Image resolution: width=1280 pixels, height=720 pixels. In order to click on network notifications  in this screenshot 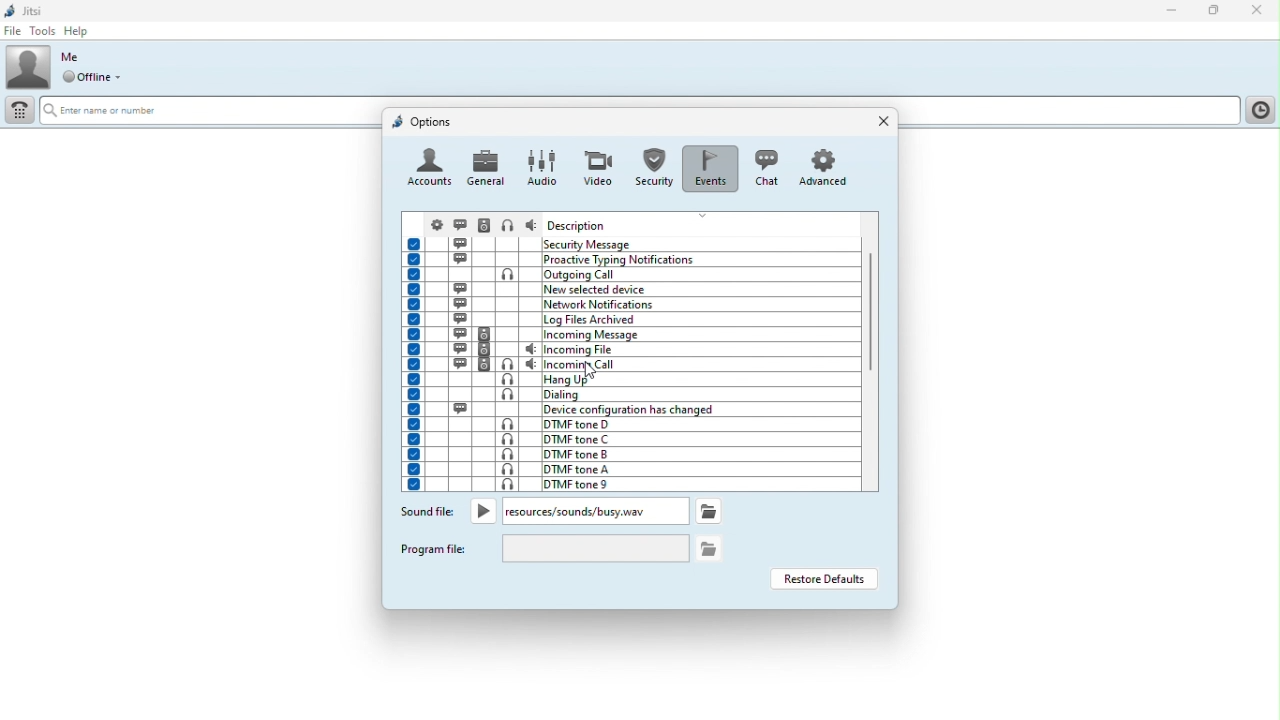, I will do `click(628, 304)`.